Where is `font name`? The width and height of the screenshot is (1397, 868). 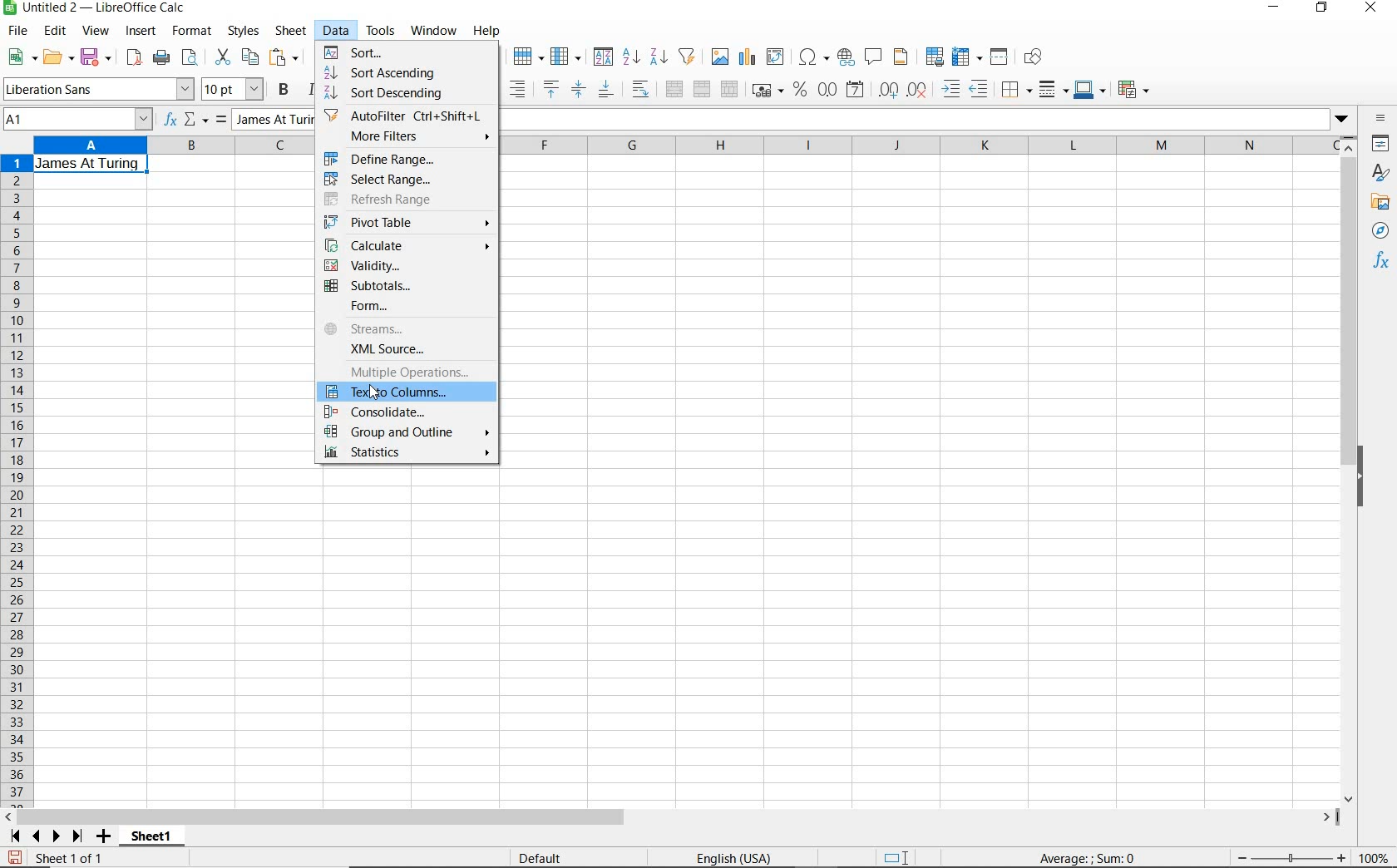 font name is located at coordinates (98, 89).